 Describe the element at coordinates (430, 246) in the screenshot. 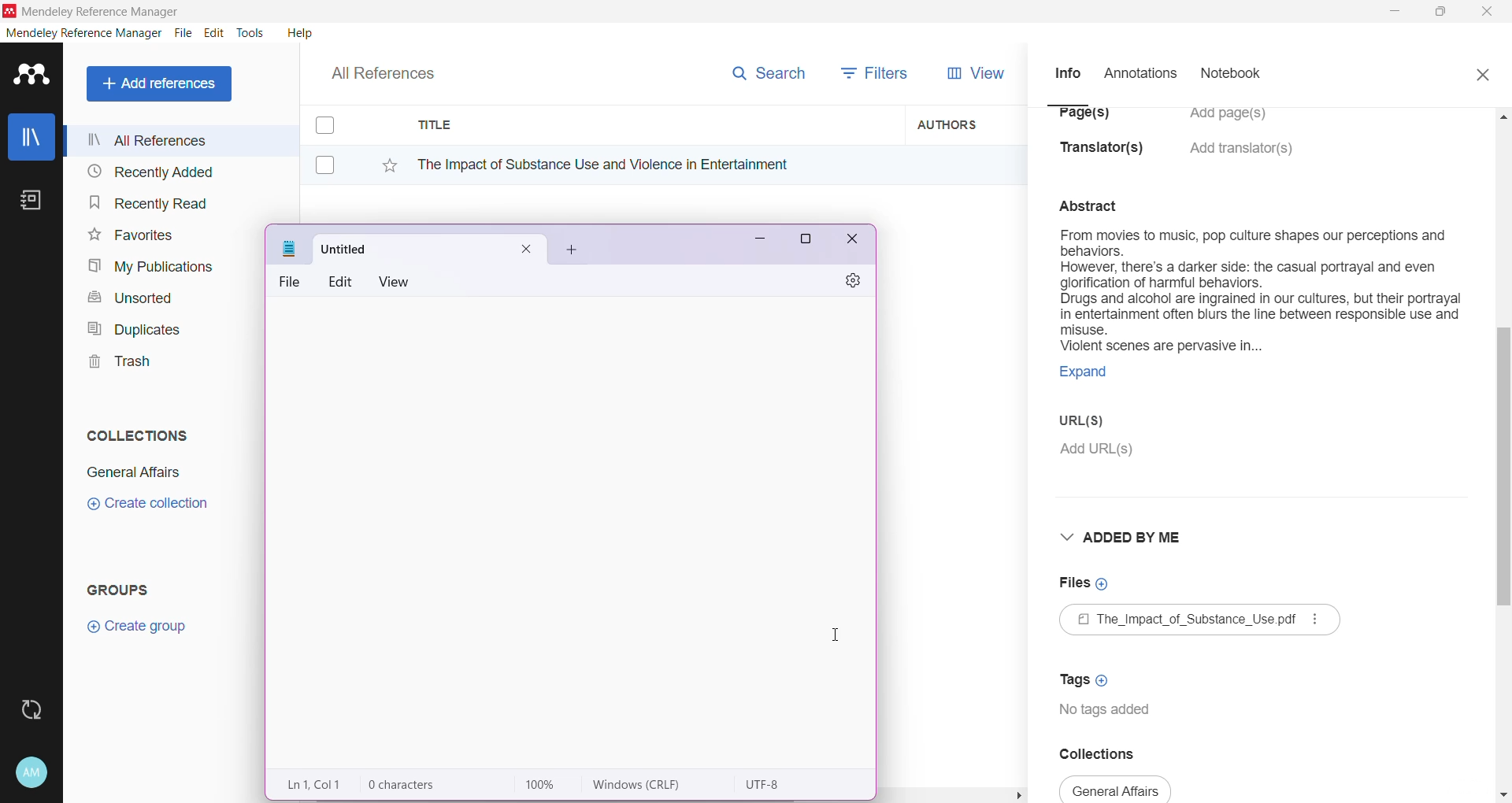

I see `Default title` at that location.